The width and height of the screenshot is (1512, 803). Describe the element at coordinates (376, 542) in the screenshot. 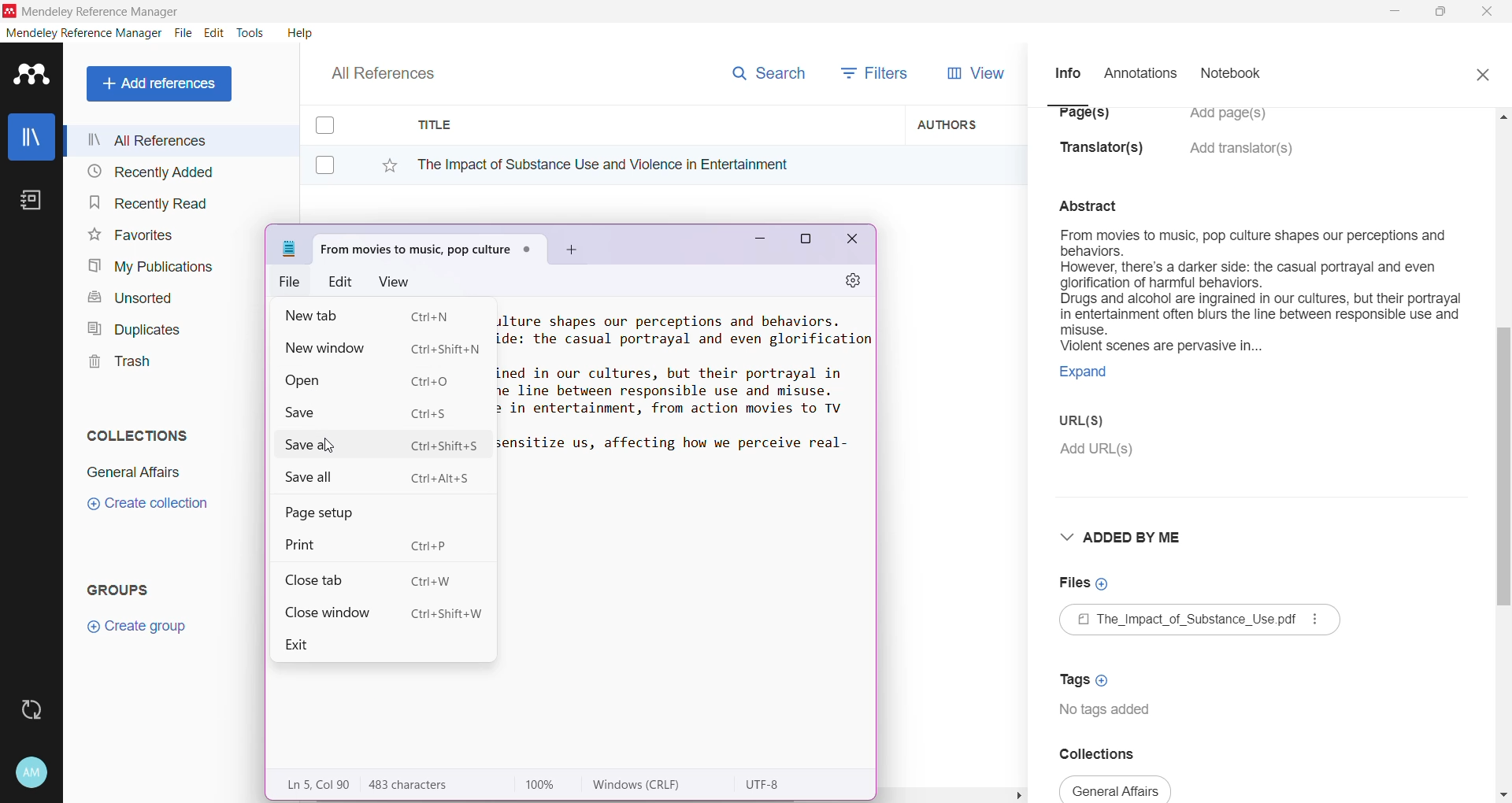

I see `Print` at that location.